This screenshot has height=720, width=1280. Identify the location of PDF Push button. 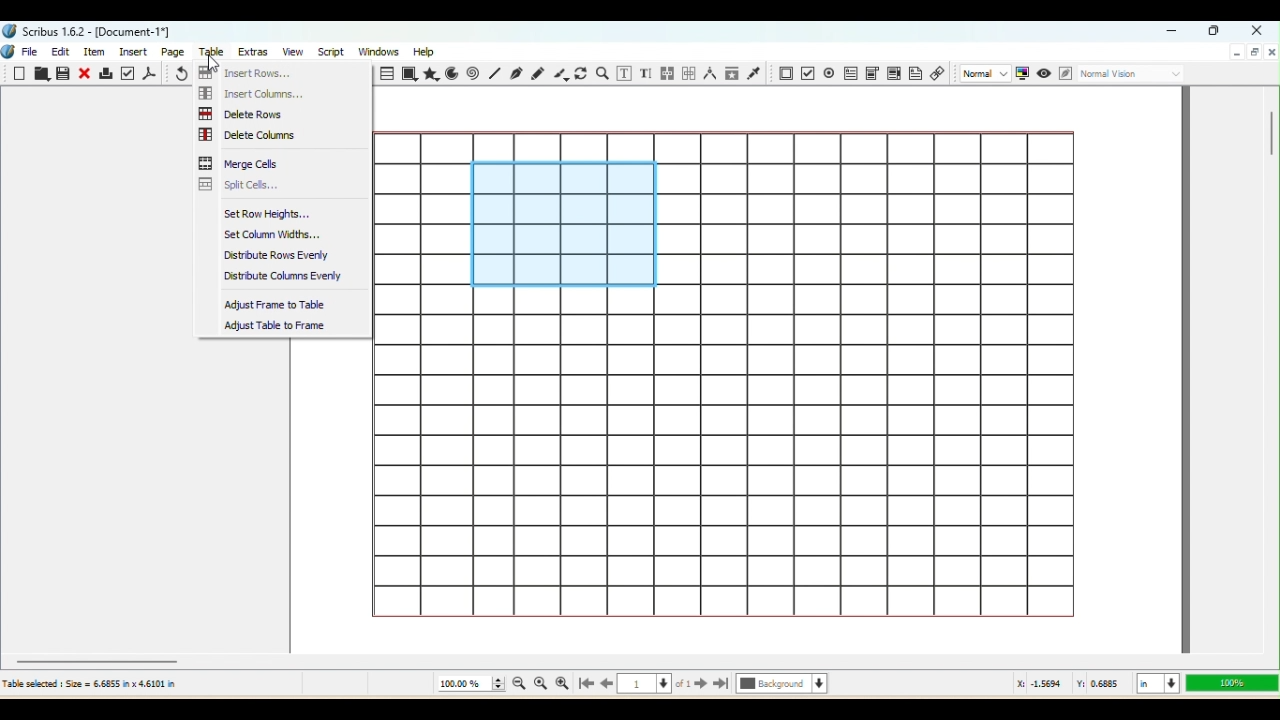
(784, 73).